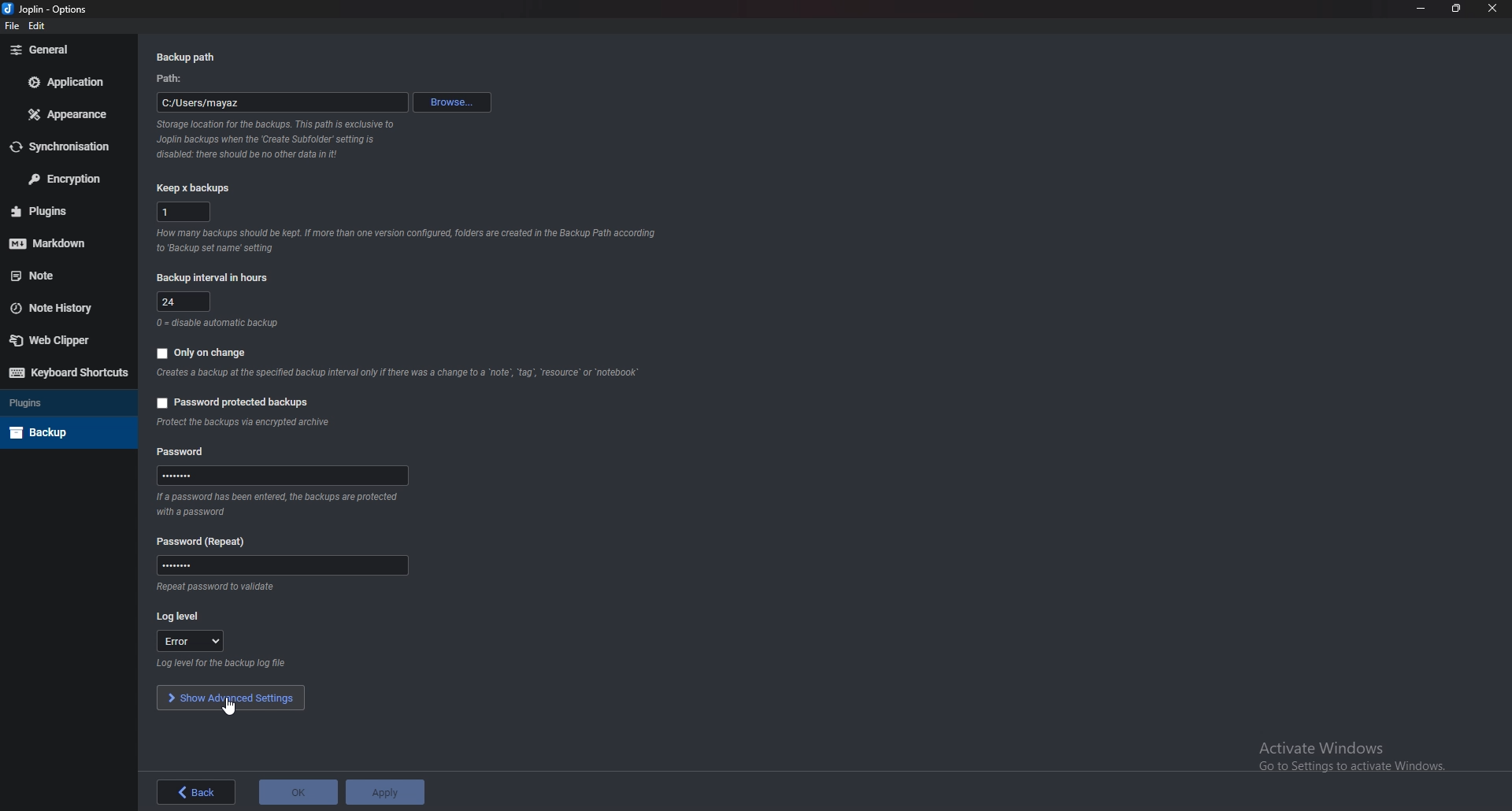  Describe the element at coordinates (1458, 9) in the screenshot. I see `Resize` at that location.